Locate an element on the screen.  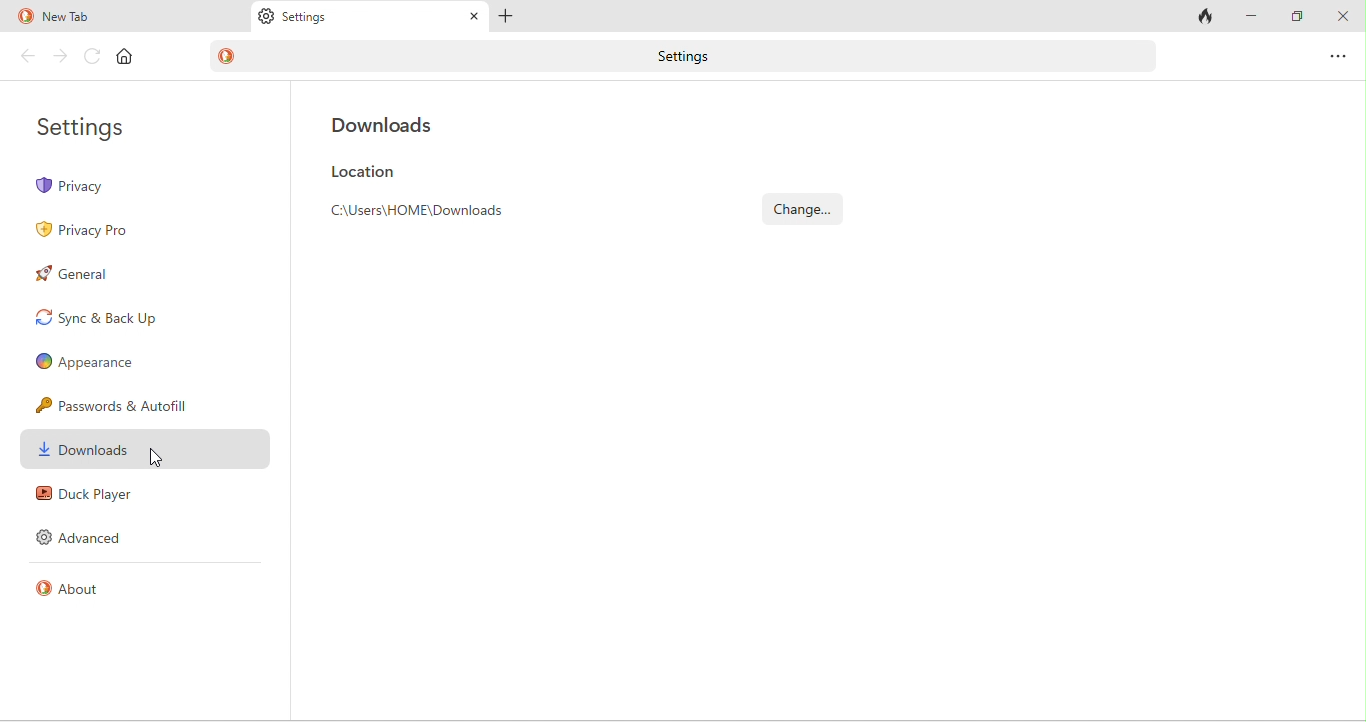
passwords and autofill is located at coordinates (127, 408).